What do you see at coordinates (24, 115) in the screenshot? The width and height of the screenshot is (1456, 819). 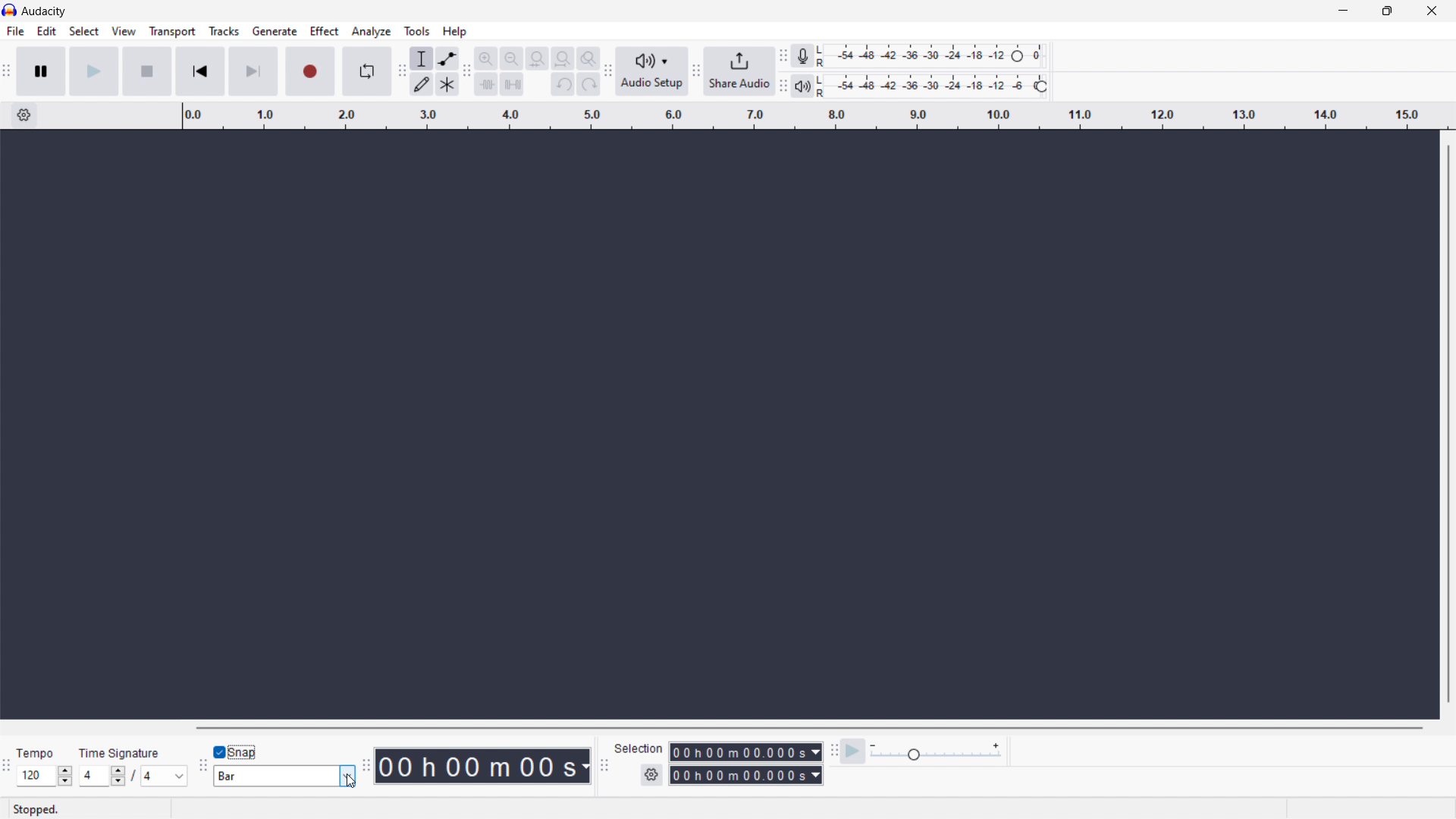 I see `settings` at bounding box center [24, 115].